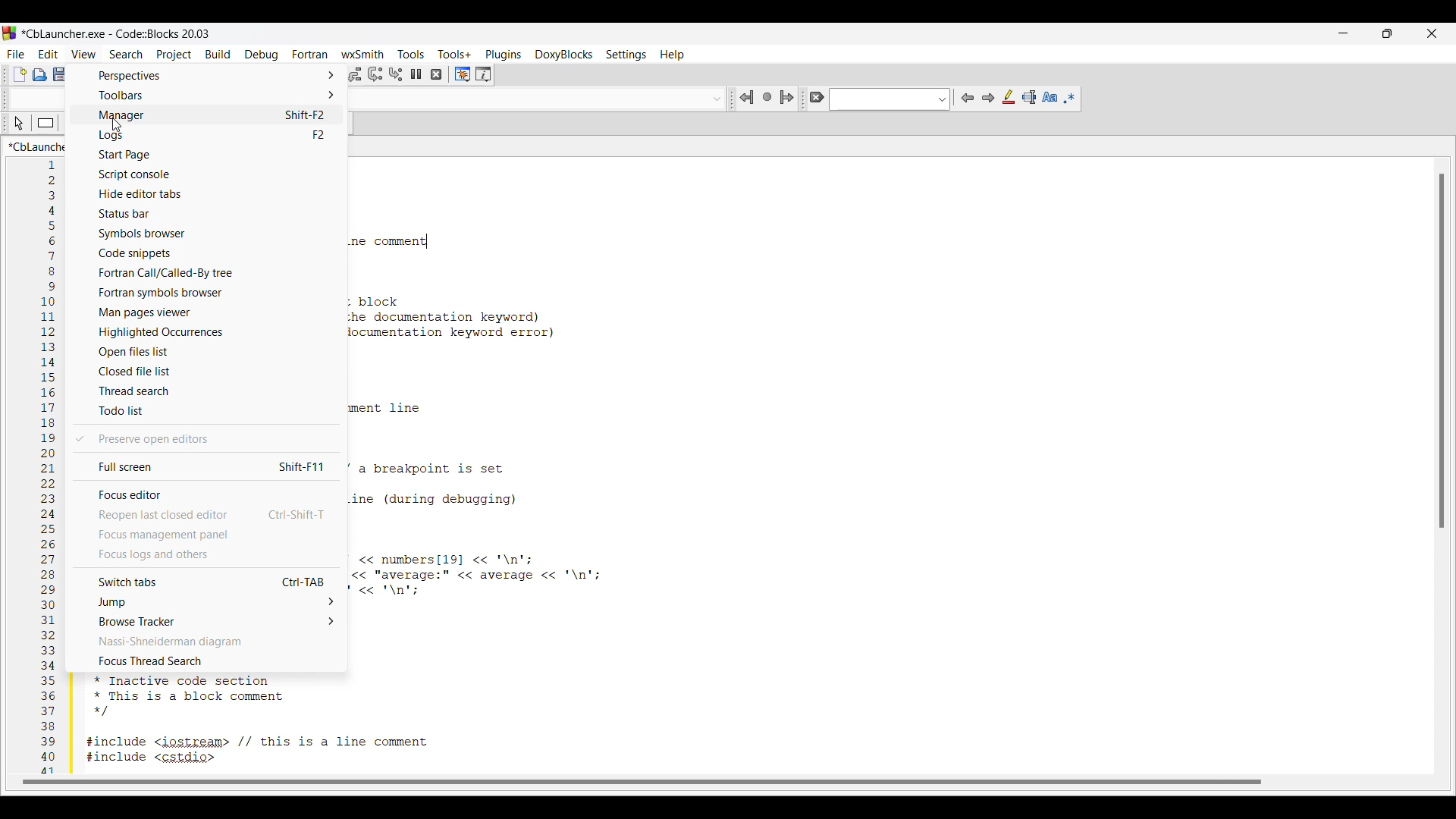 The width and height of the screenshot is (1456, 819). Describe the element at coordinates (42, 74) in the screenshot. I see `document` at that location.